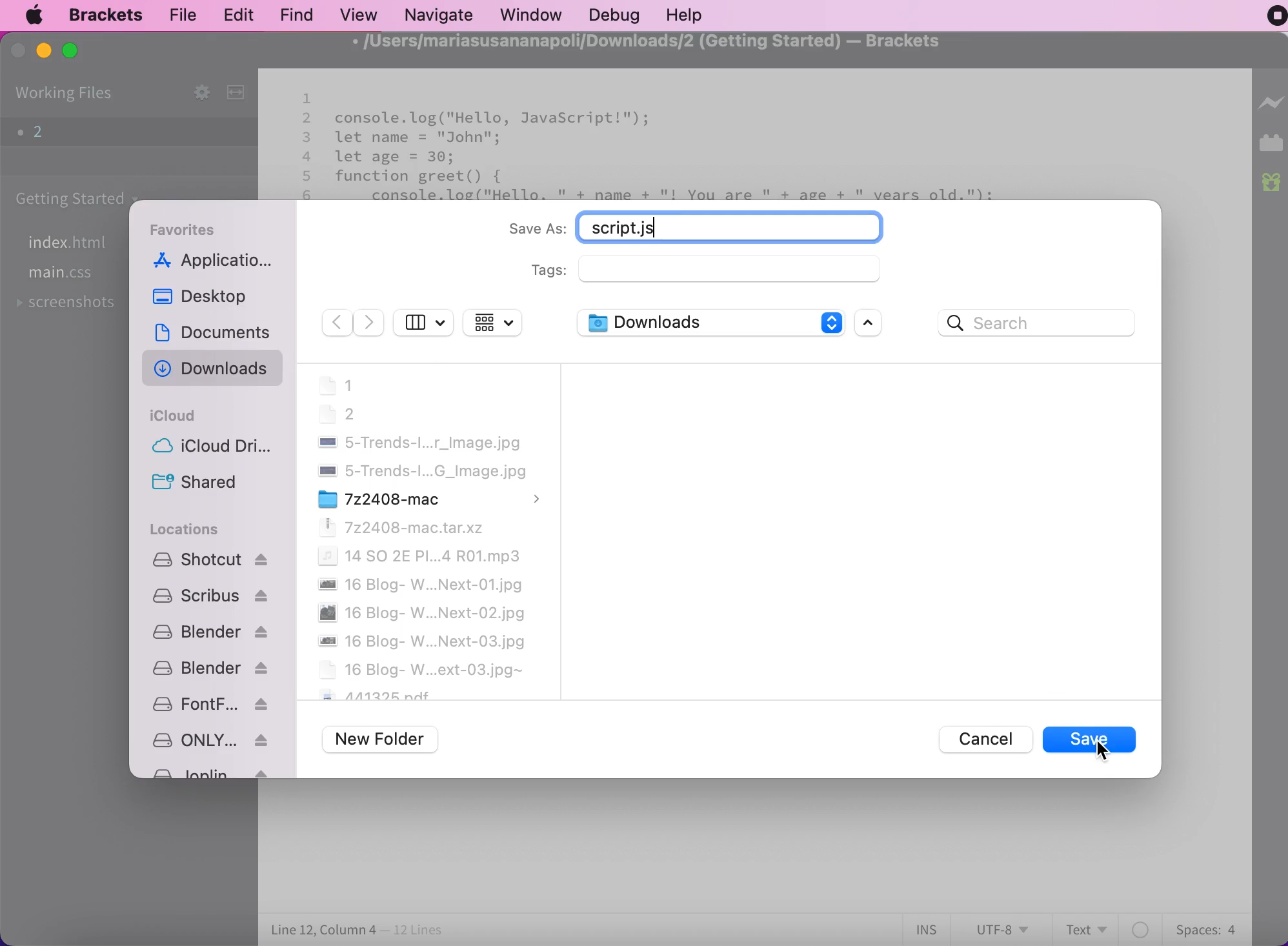  I want to click on 14 SO 2E PI...4  R01.mp3, so click(418, 556).